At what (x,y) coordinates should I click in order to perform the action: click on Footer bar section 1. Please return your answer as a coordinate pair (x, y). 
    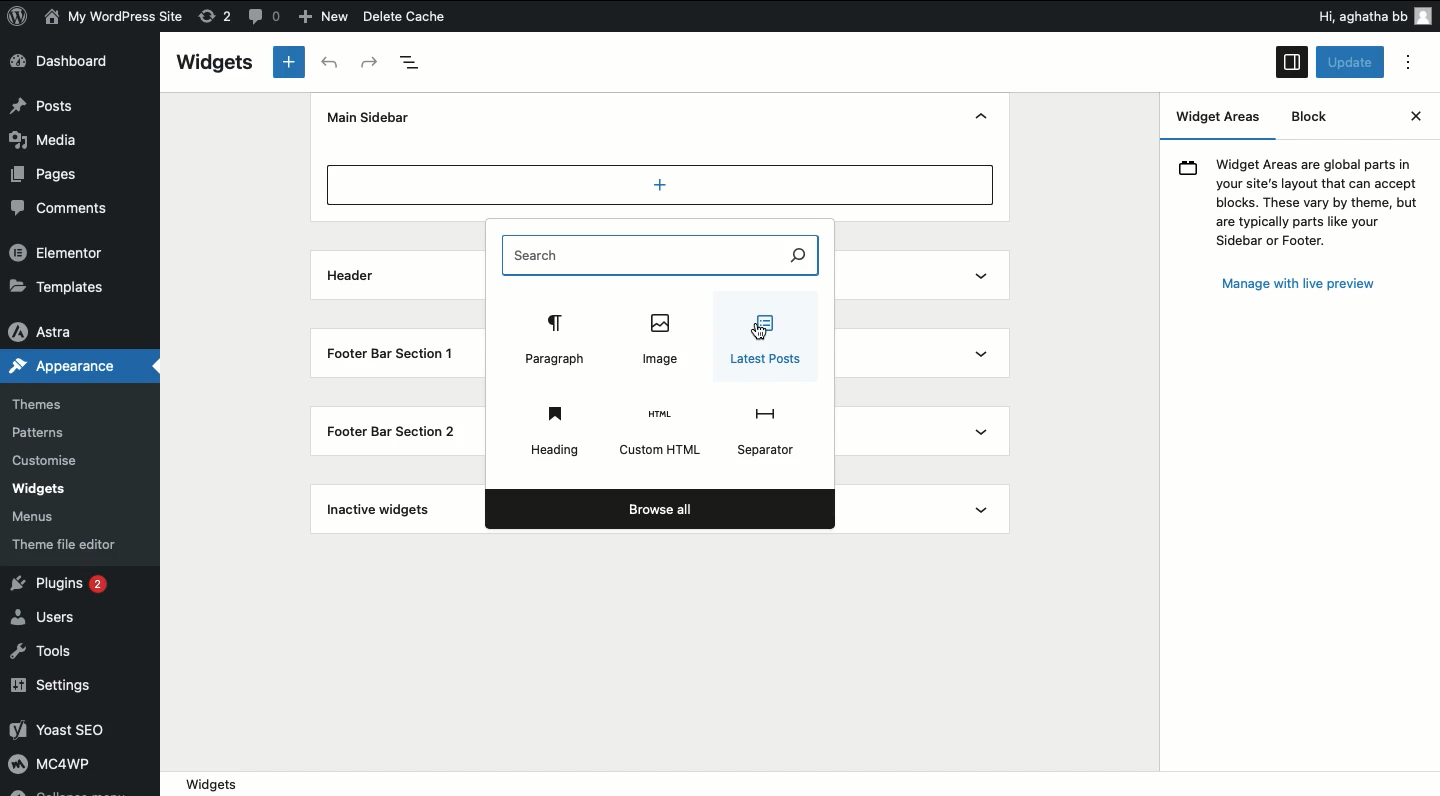
    Looking at the image, I should click on (392, 353).